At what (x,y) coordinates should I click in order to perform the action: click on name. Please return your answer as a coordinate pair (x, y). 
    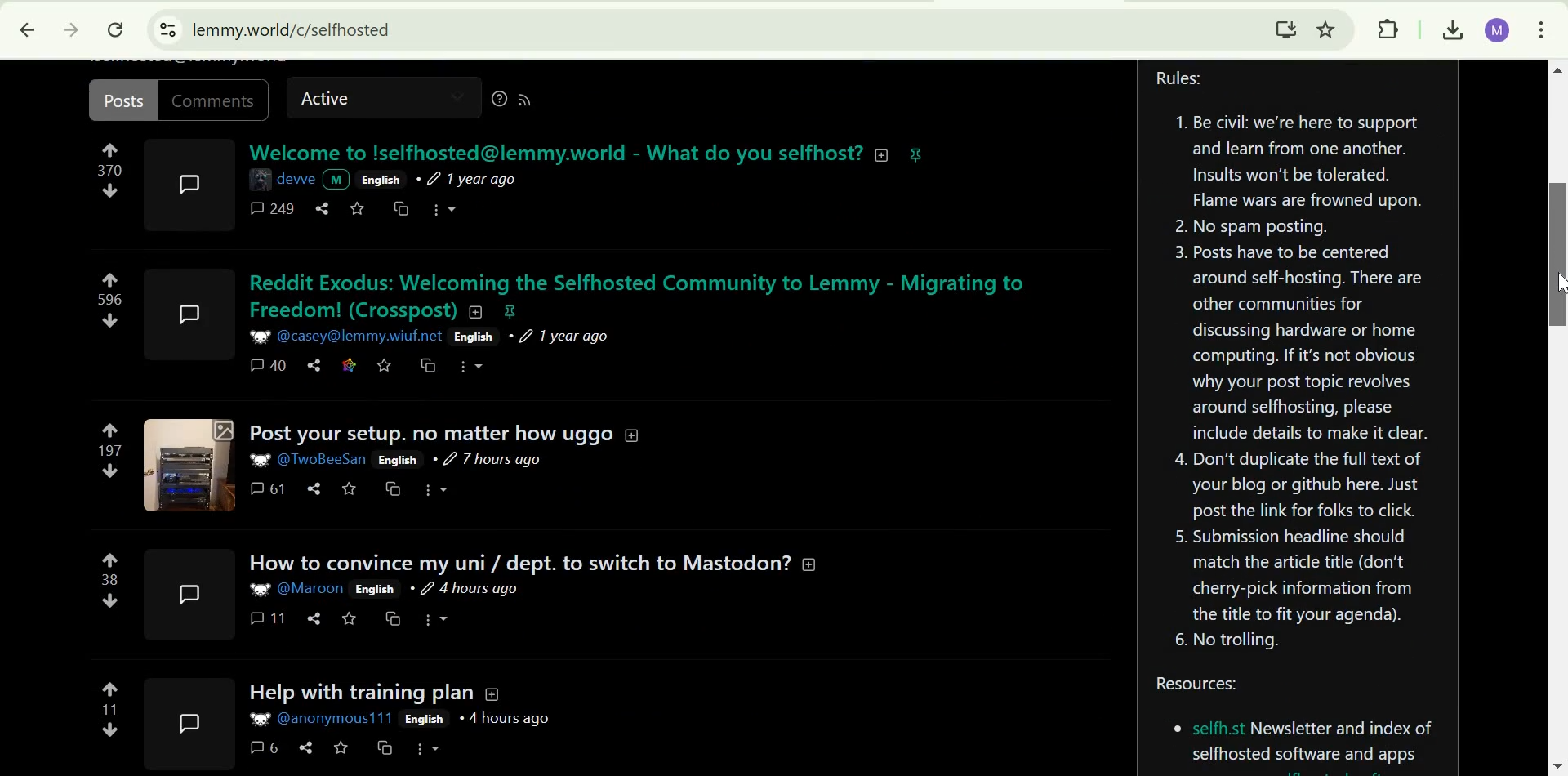
    Looking at the image, I should click on (296, 177).